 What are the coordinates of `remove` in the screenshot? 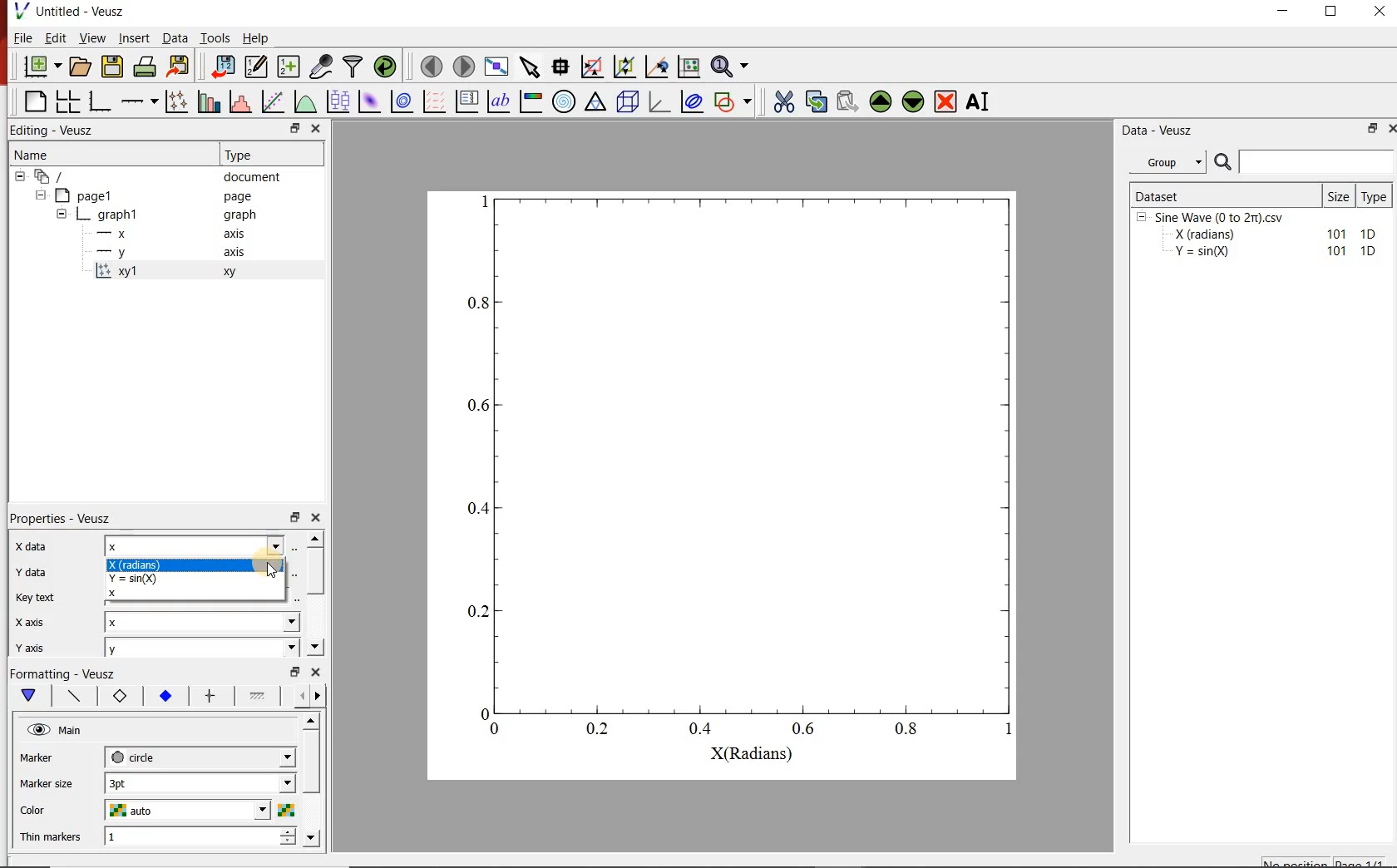 It's located at (945, 101).